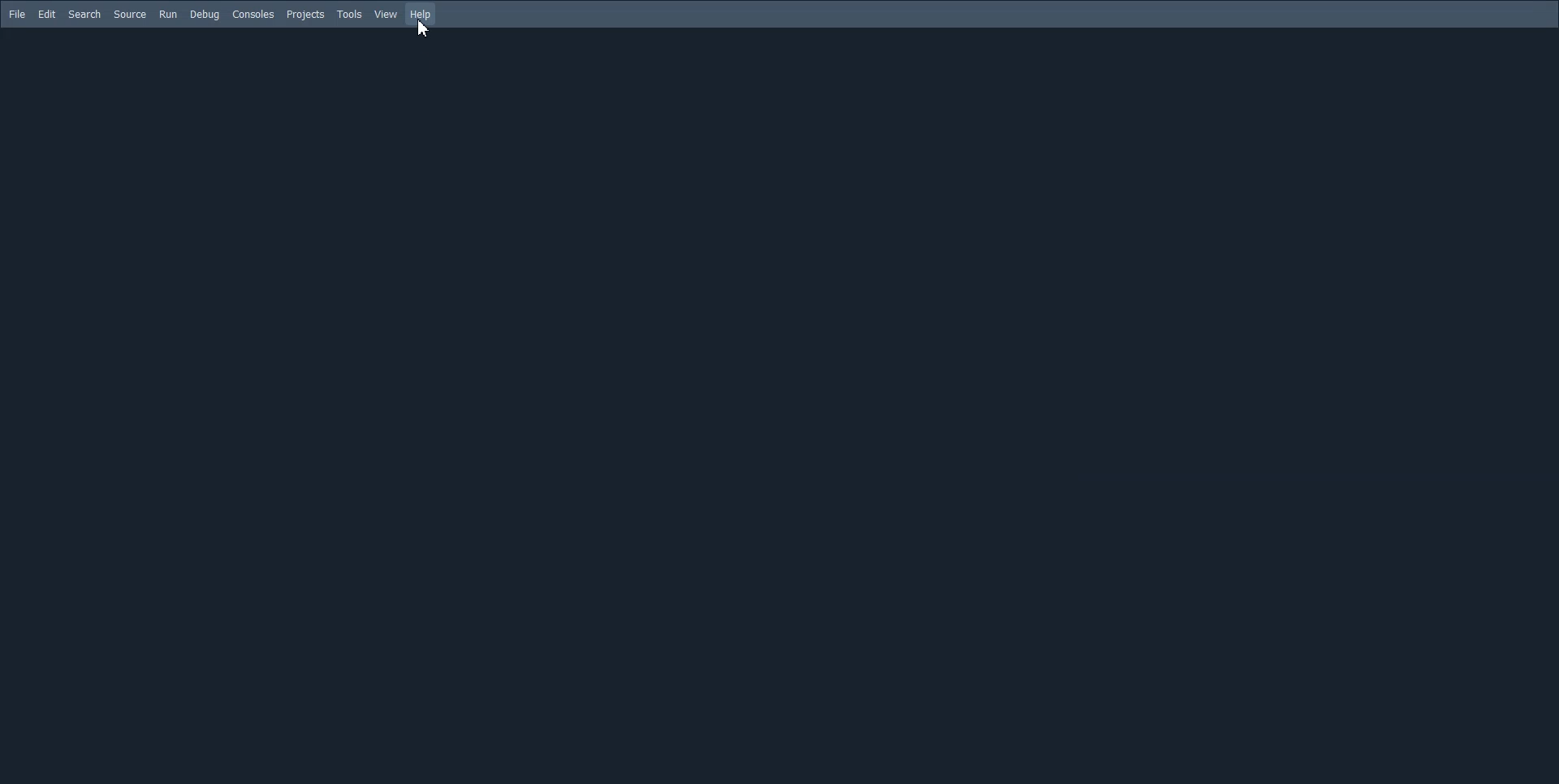 This screenshot has height=784, width=1559. Describe the element at coordinates (421, 14) in the screenshot. I see `Help` at that location.